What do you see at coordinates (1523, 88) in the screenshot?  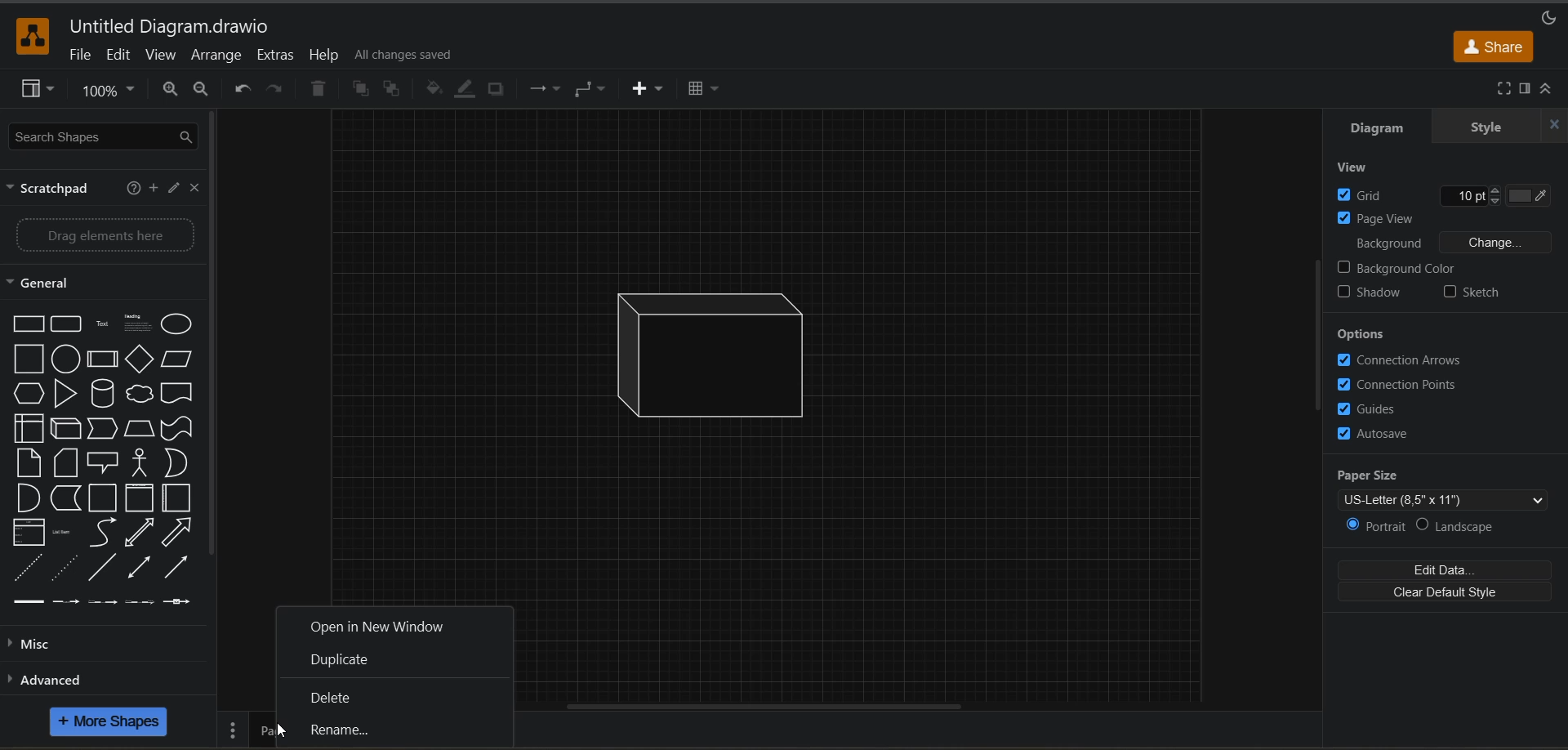 I see `format` at bounding box center [1523, 88].